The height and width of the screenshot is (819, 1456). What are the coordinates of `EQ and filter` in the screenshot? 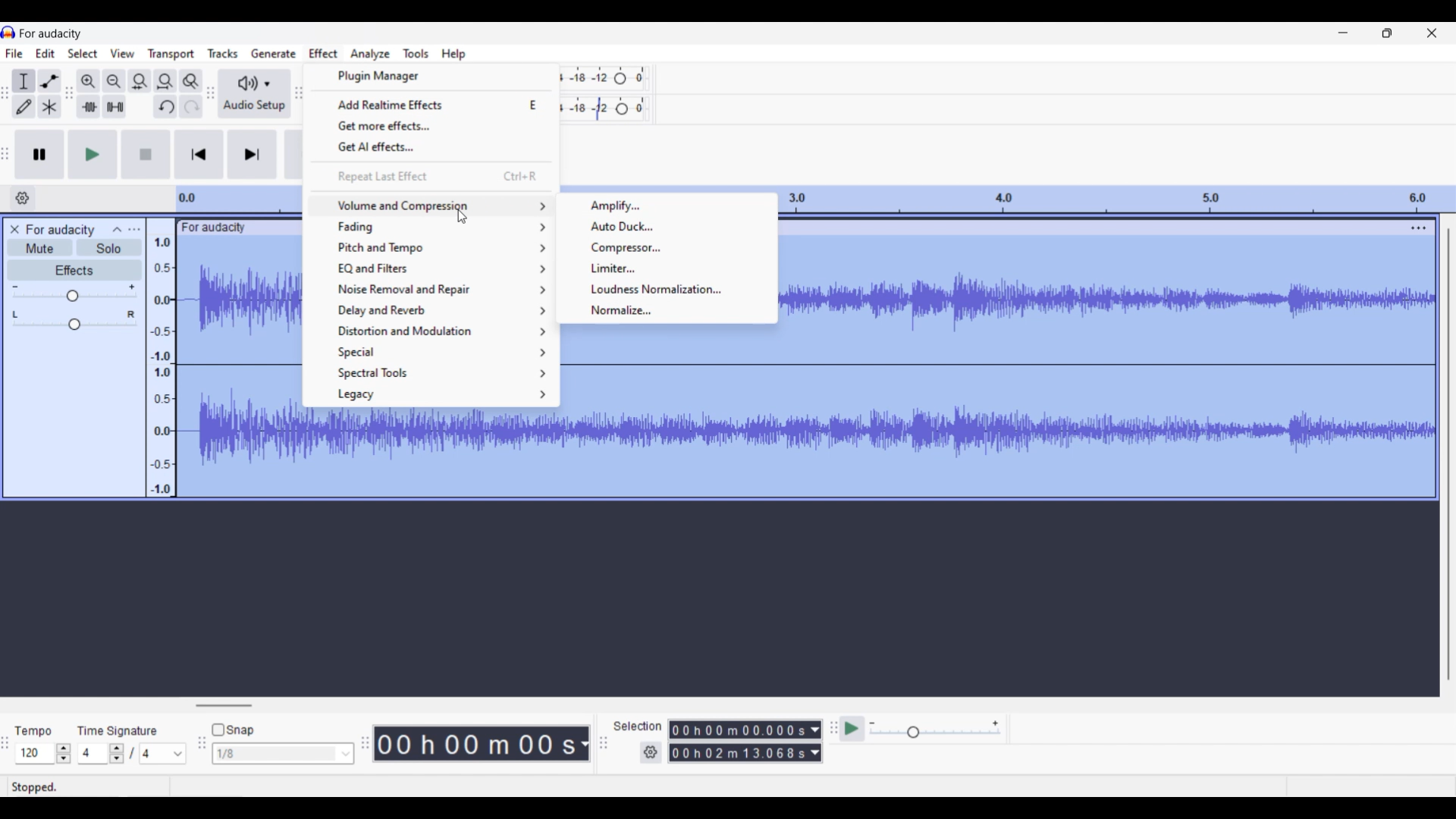 It's located at (431, 268).